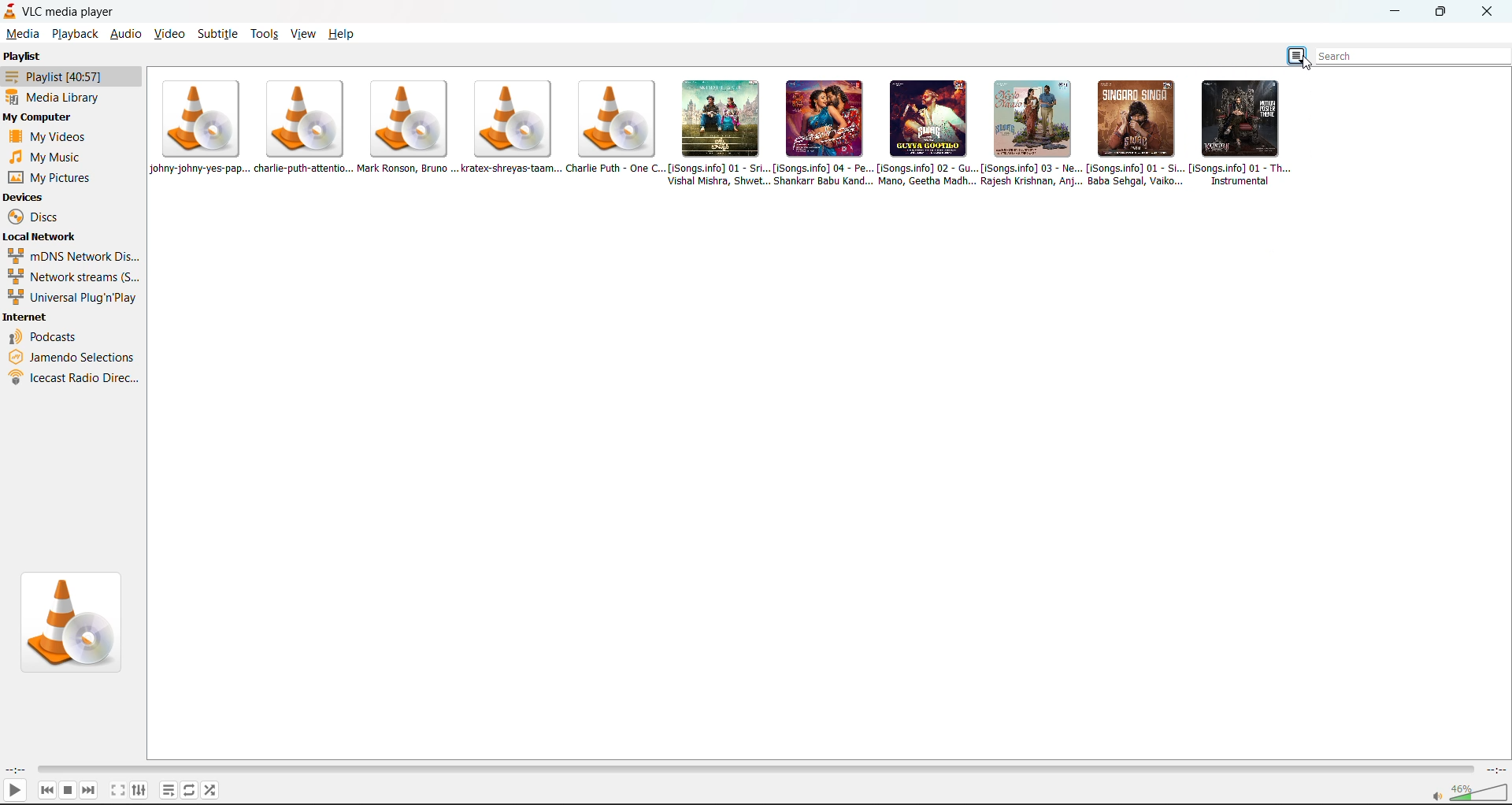  What do you see at coordinates (60, 98) in the screenshot?
I see `media library` at bounding box center [60, 98].